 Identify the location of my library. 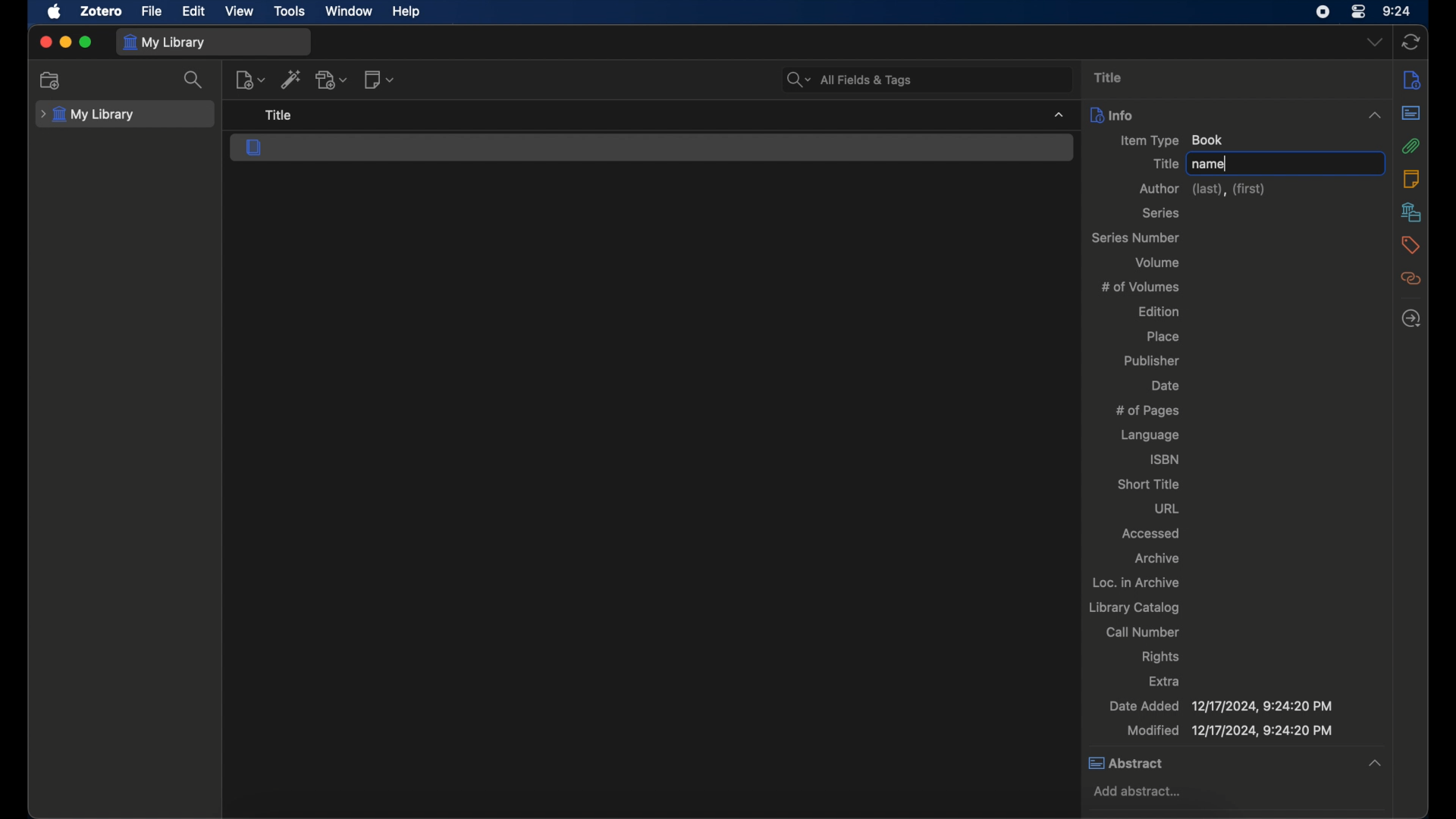
(87, 115).